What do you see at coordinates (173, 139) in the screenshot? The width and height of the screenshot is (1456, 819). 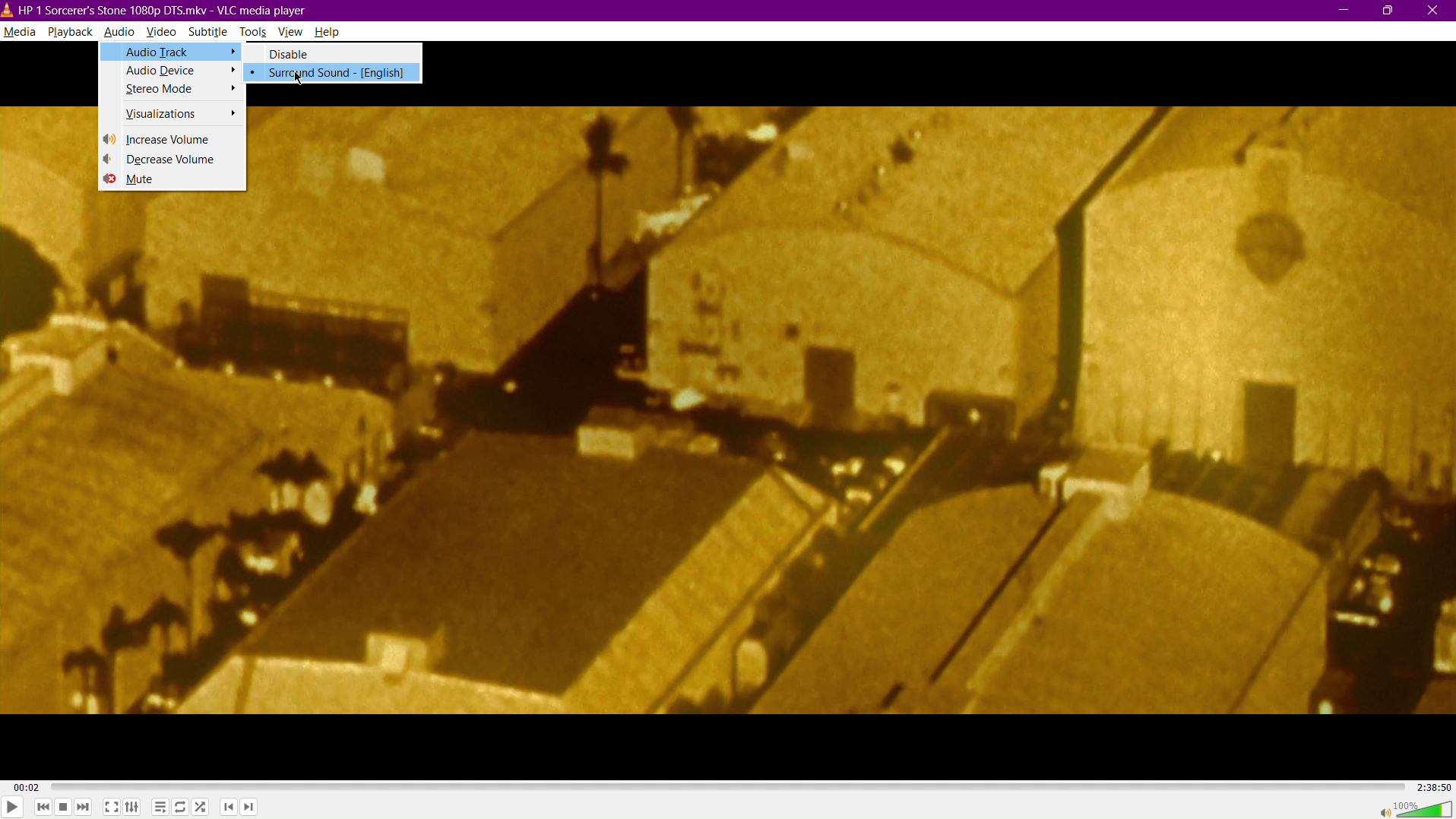 I see `Increase Volume` at bounding box center [173, 139].